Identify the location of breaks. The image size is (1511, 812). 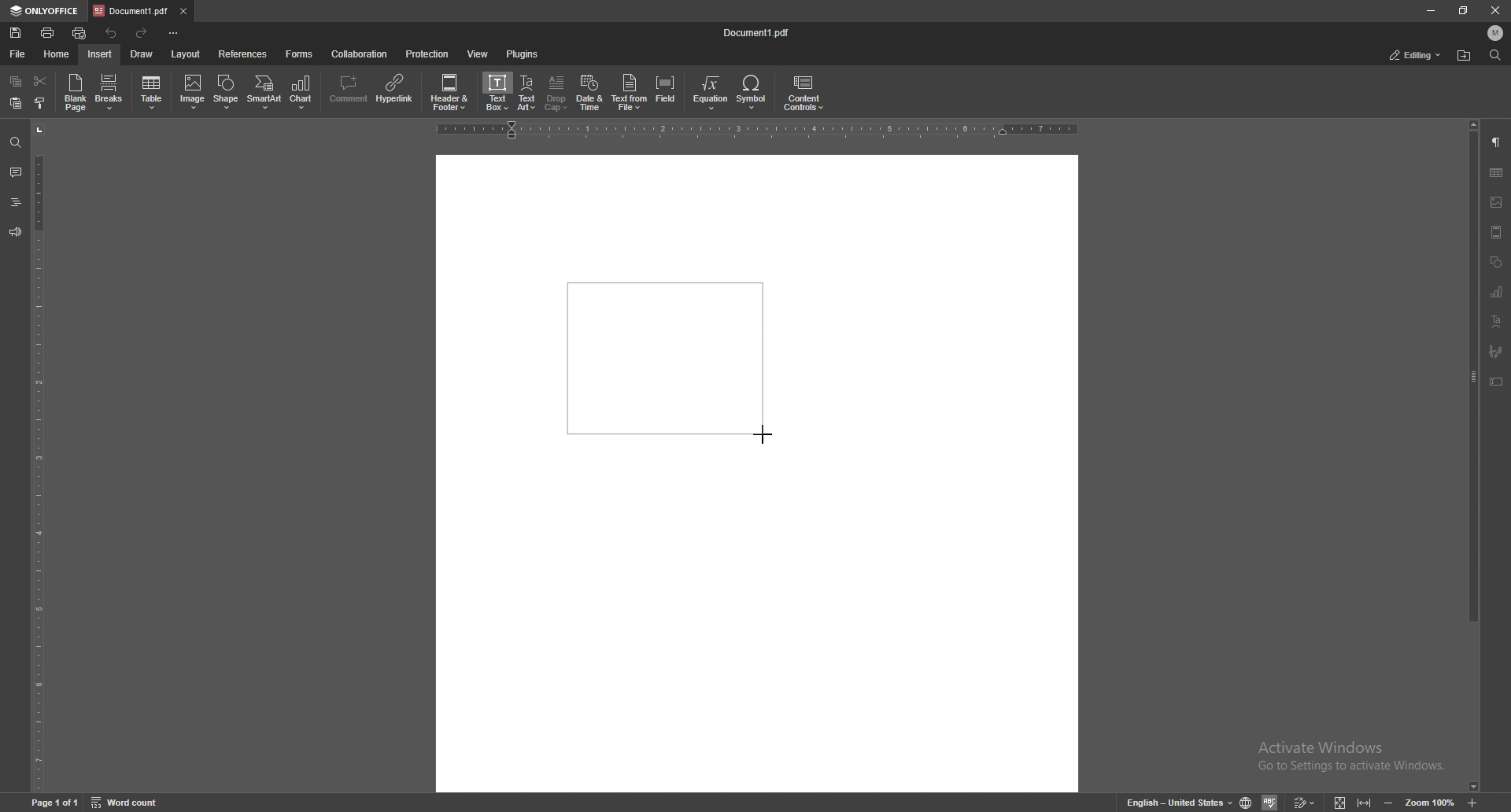
(109, 92).